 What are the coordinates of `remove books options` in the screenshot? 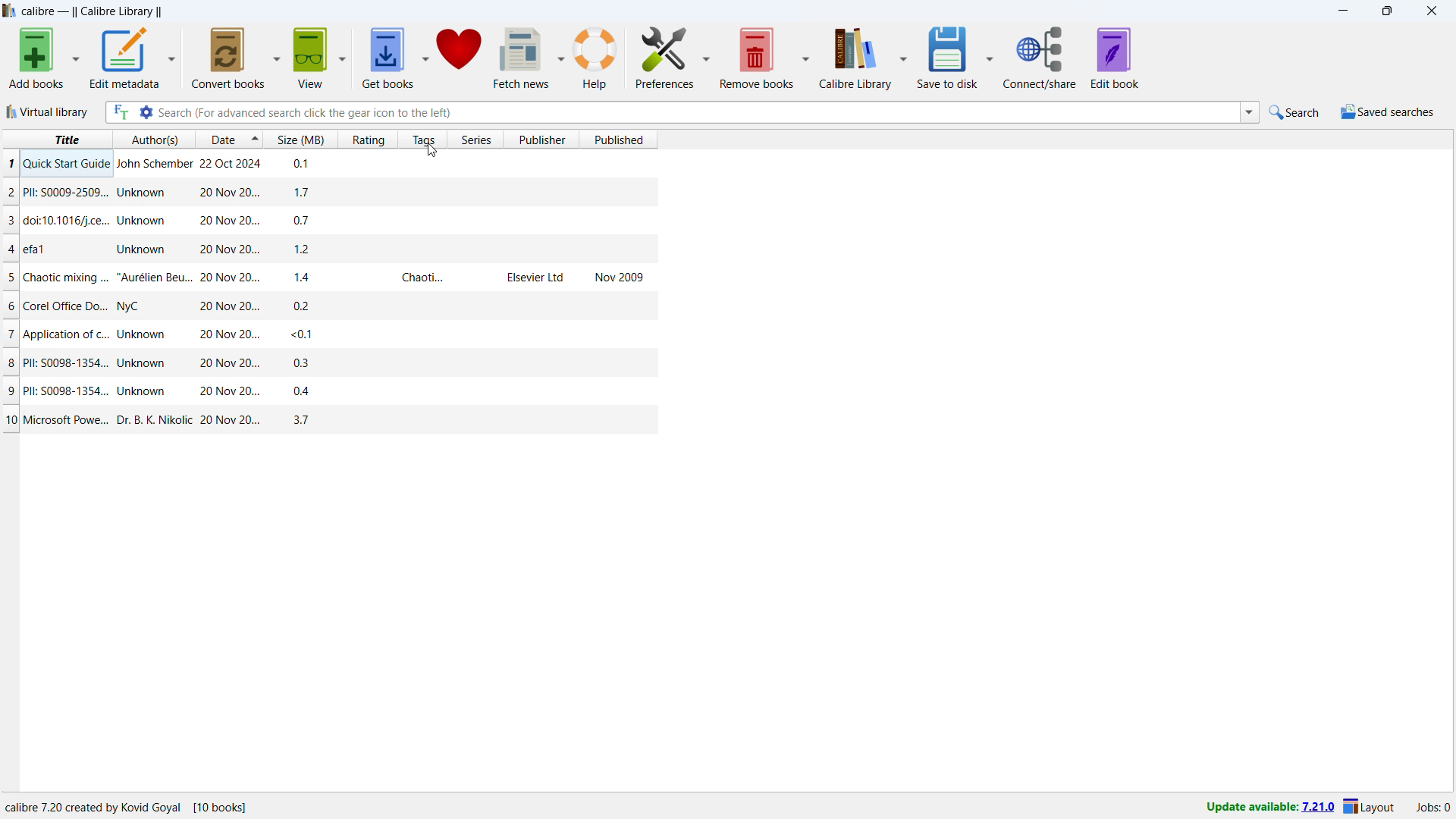 It's located at (807, 57).